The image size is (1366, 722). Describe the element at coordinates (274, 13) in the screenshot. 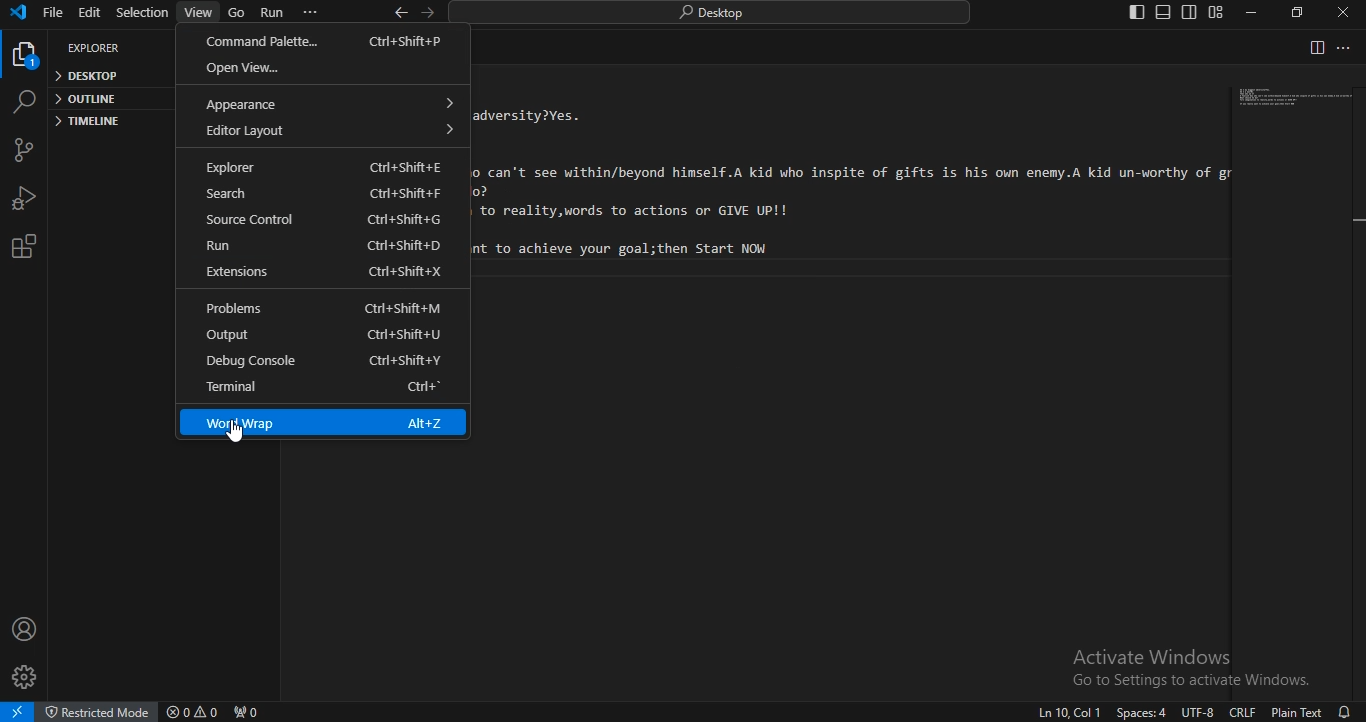

I see `run` at that location.